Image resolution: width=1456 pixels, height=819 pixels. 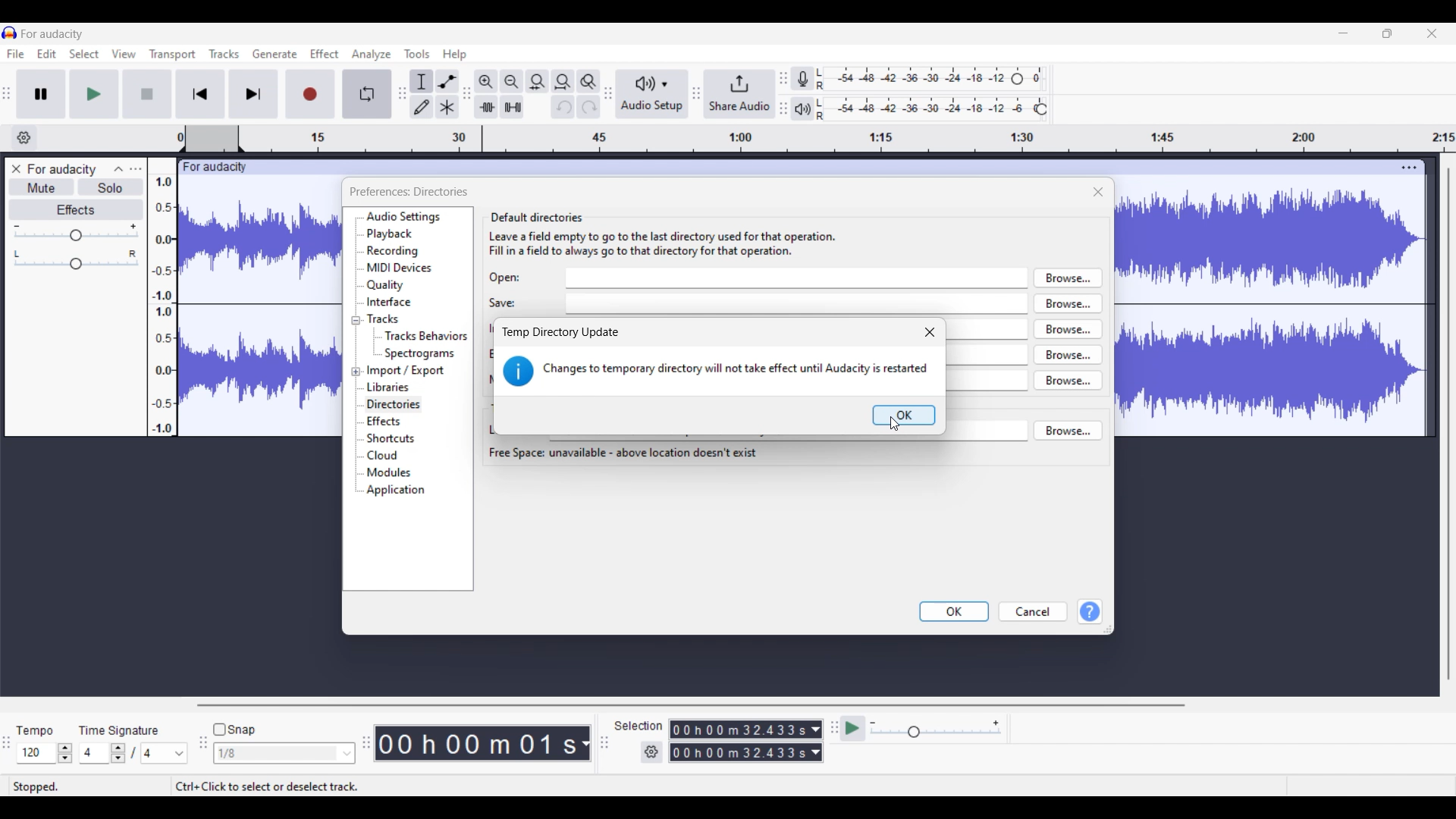 What do you see at coordinates (486, 82) in the screenshot?
I see `Zoom in` at bounding box center [486, 82].